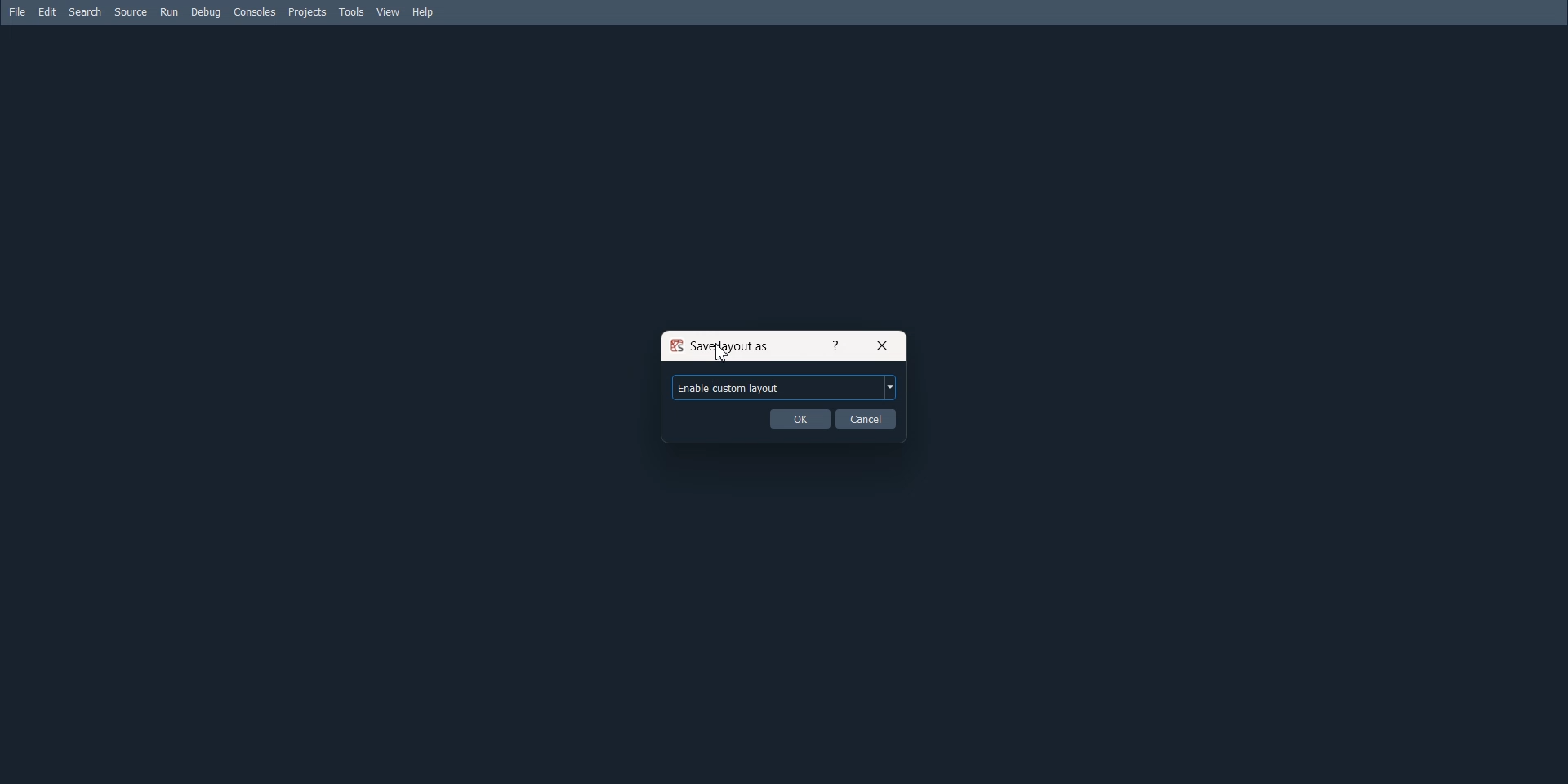  Describe the element at coordinates (730, 390) in the screenshot. I see `Text` at that location.